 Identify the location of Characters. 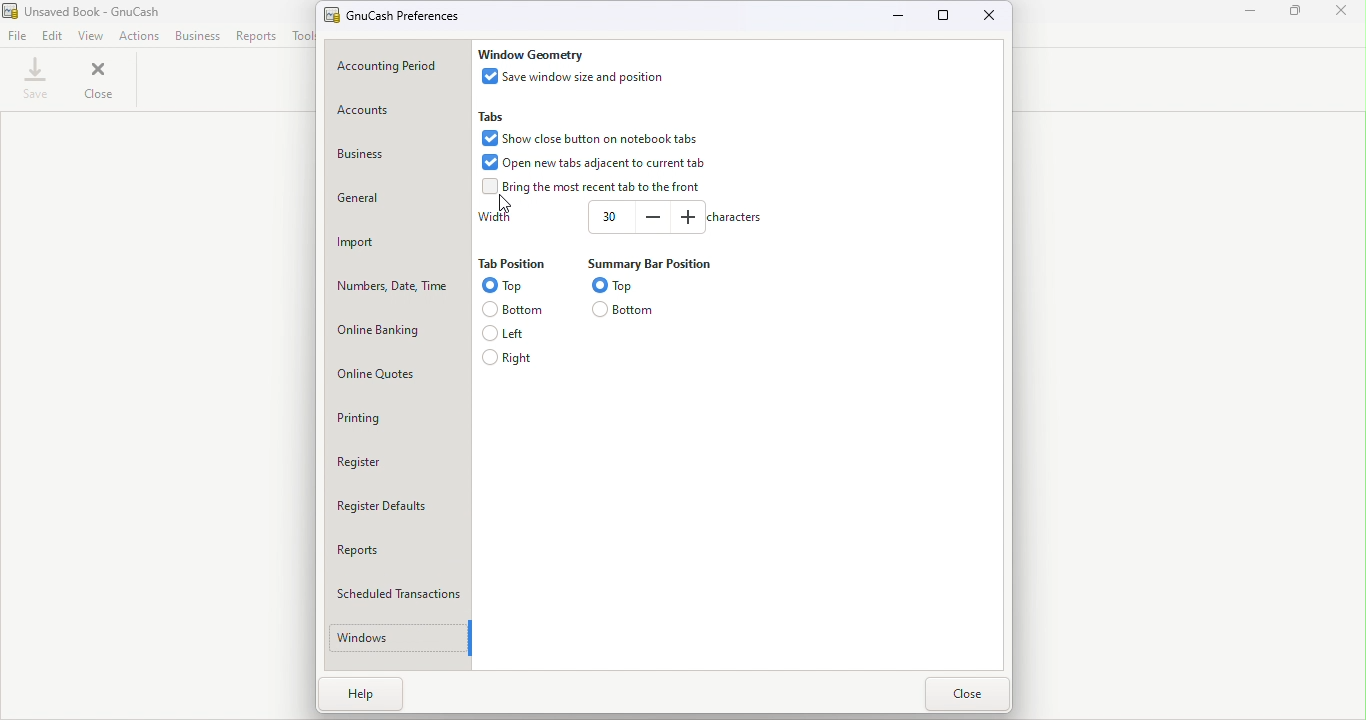
(733, 217).